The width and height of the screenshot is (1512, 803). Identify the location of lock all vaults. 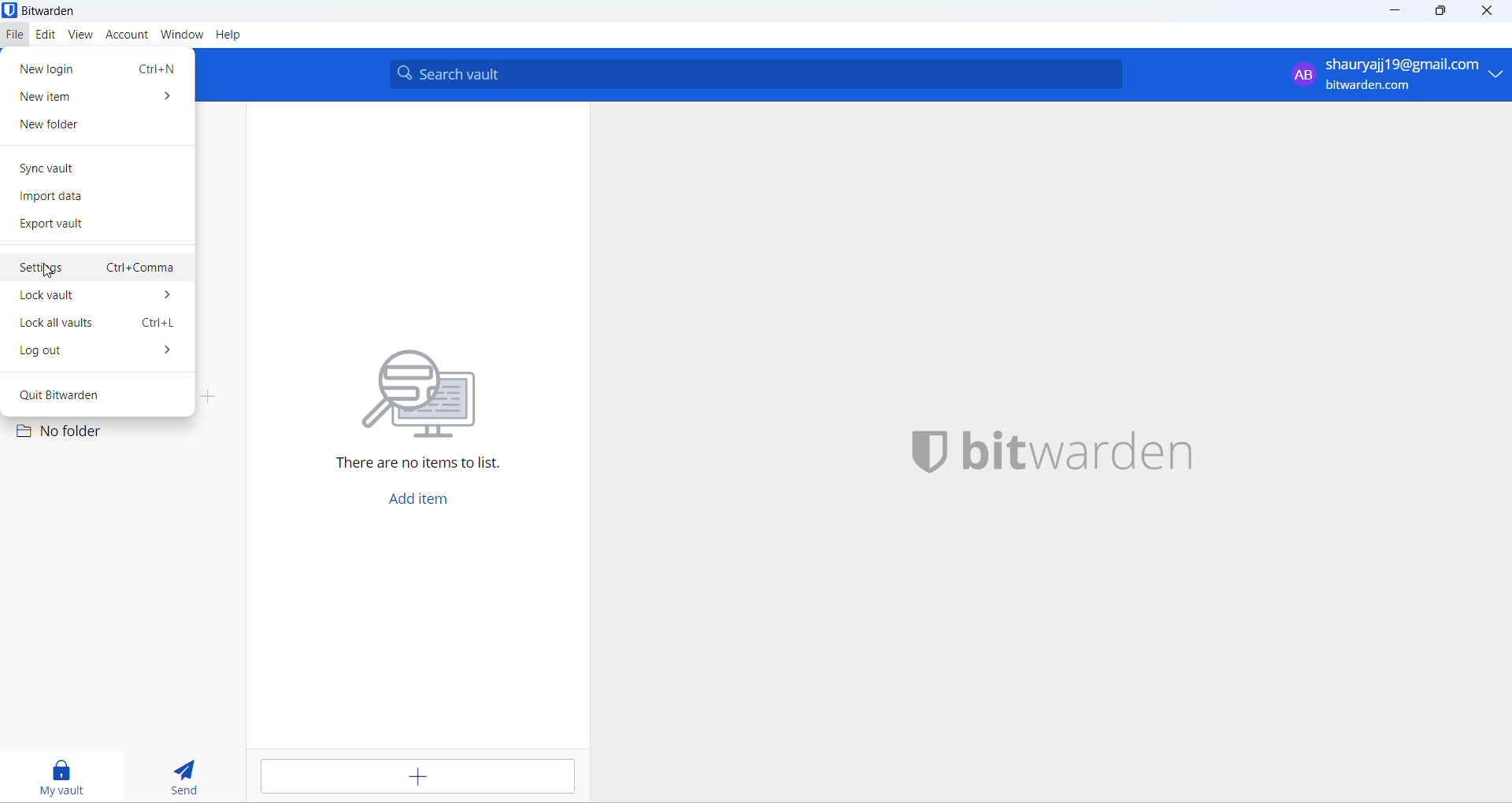
(98, 324).